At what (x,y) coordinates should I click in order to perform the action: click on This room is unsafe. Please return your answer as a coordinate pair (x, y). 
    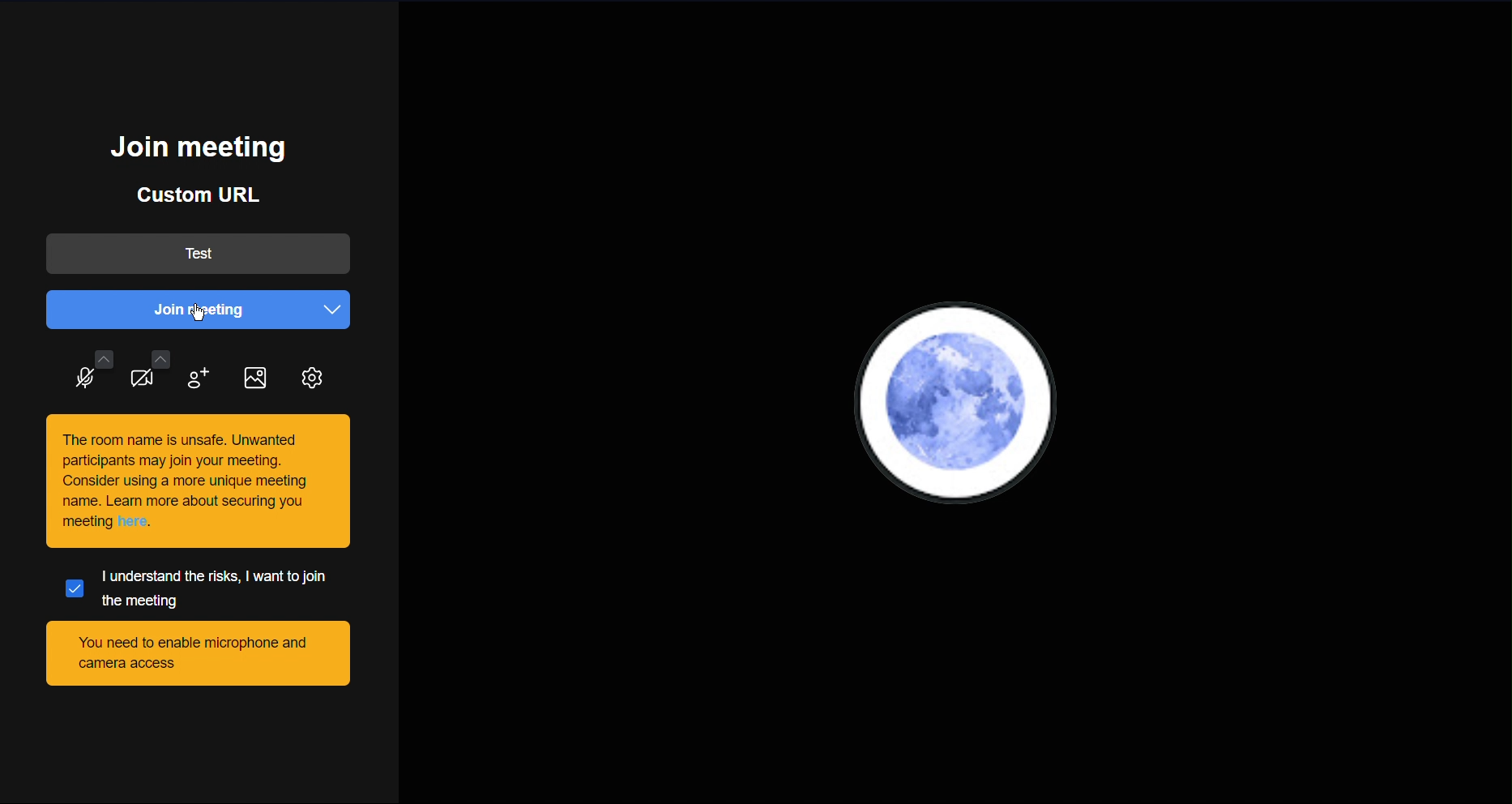
    Looking at the image, I should click on (199, 482).